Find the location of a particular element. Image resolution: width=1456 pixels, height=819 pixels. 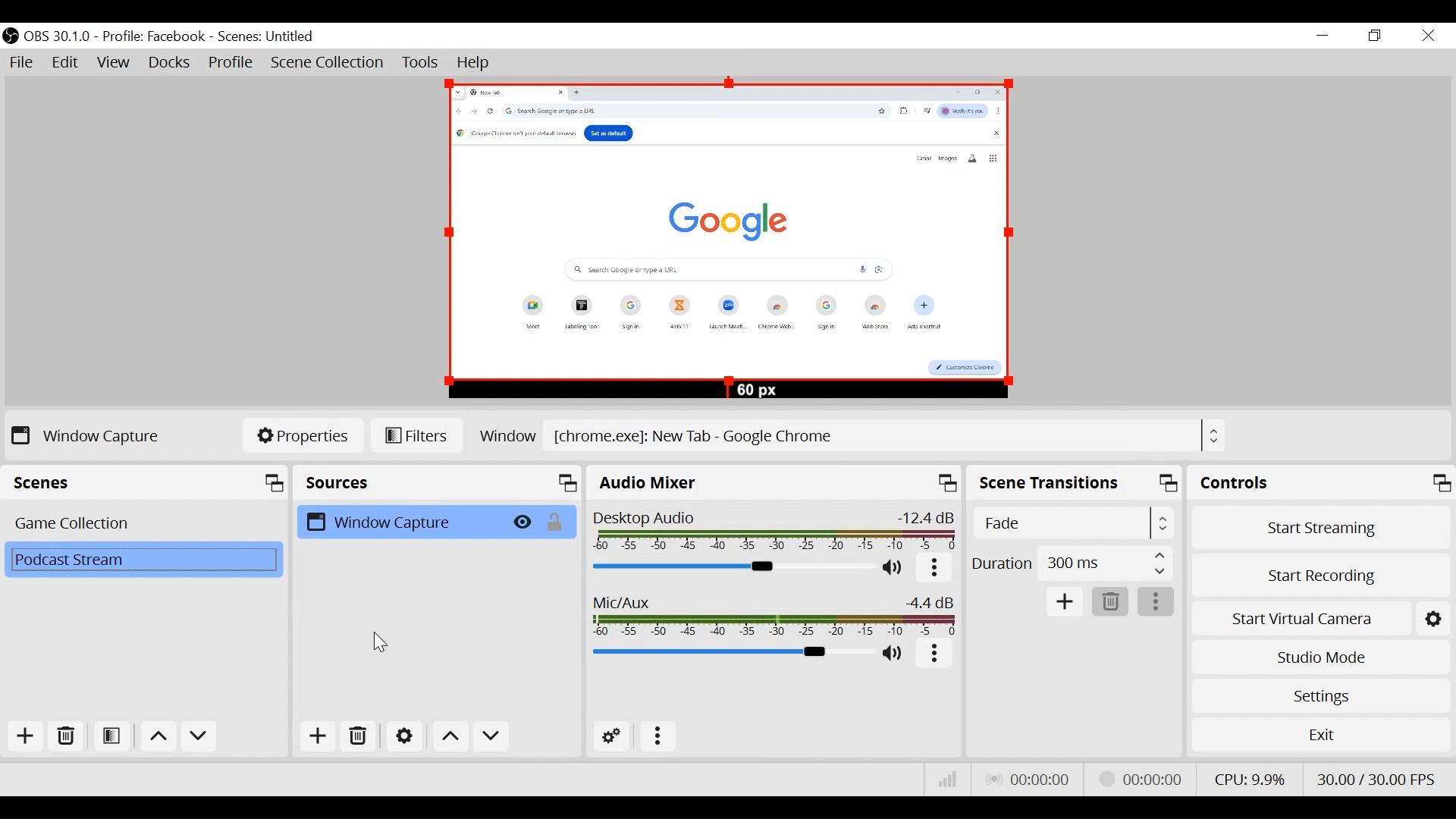

Add is located at coordinates (24, 736).